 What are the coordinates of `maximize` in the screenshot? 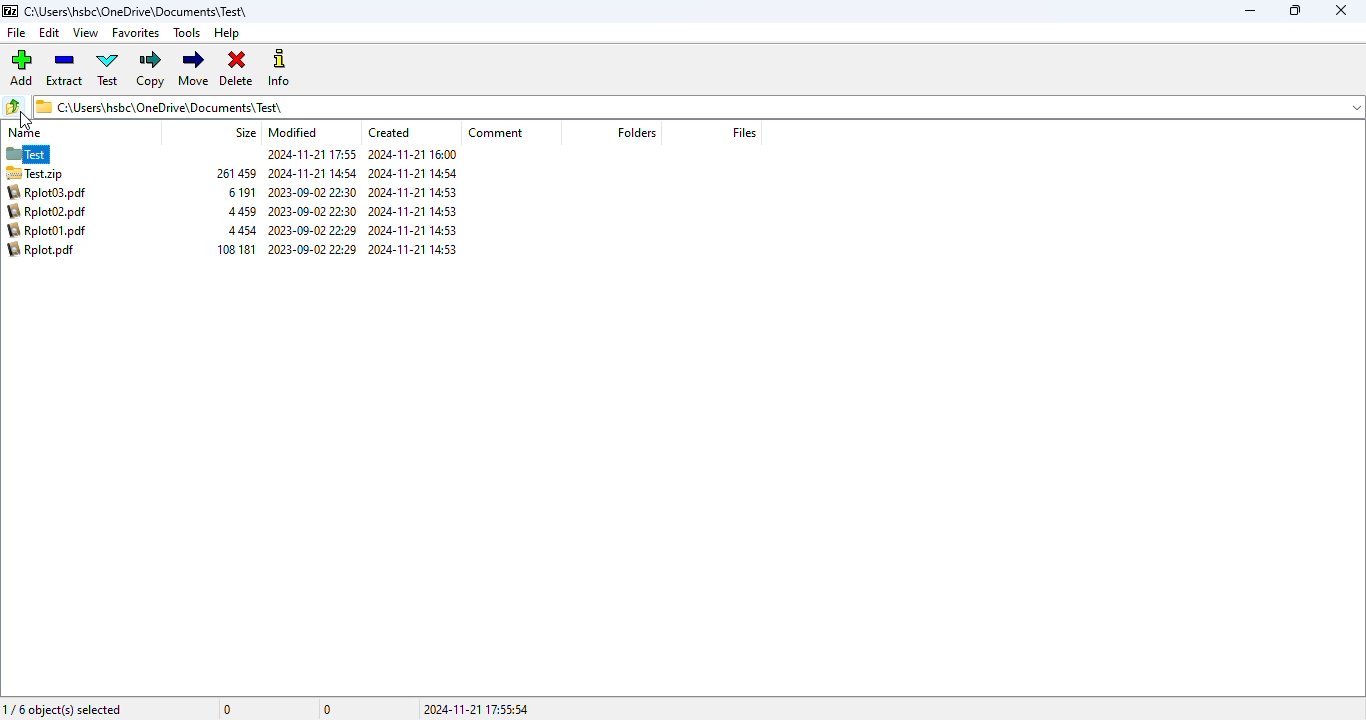 It's located at (1296, 10).